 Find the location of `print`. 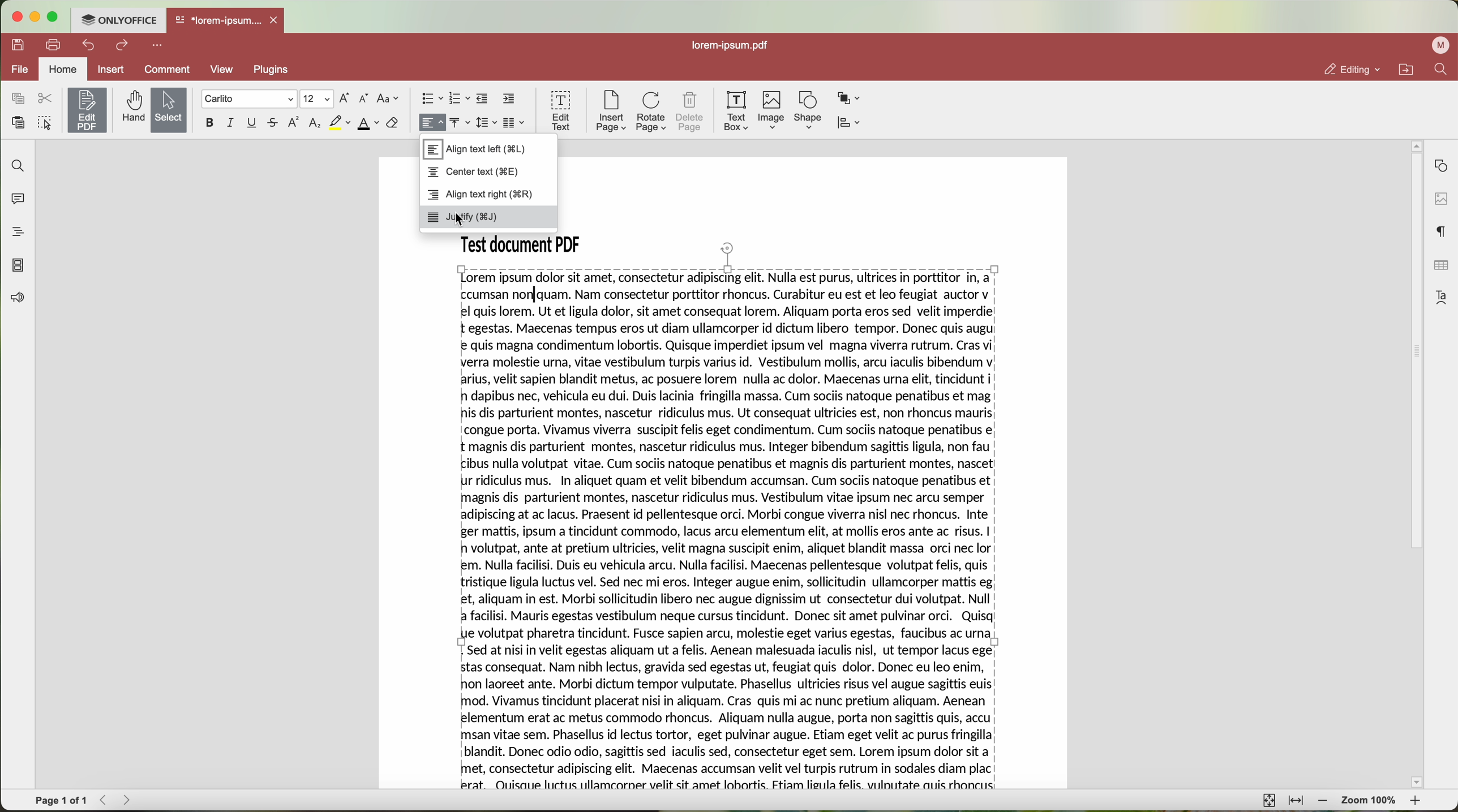

print is located at coordinates (56, 45).